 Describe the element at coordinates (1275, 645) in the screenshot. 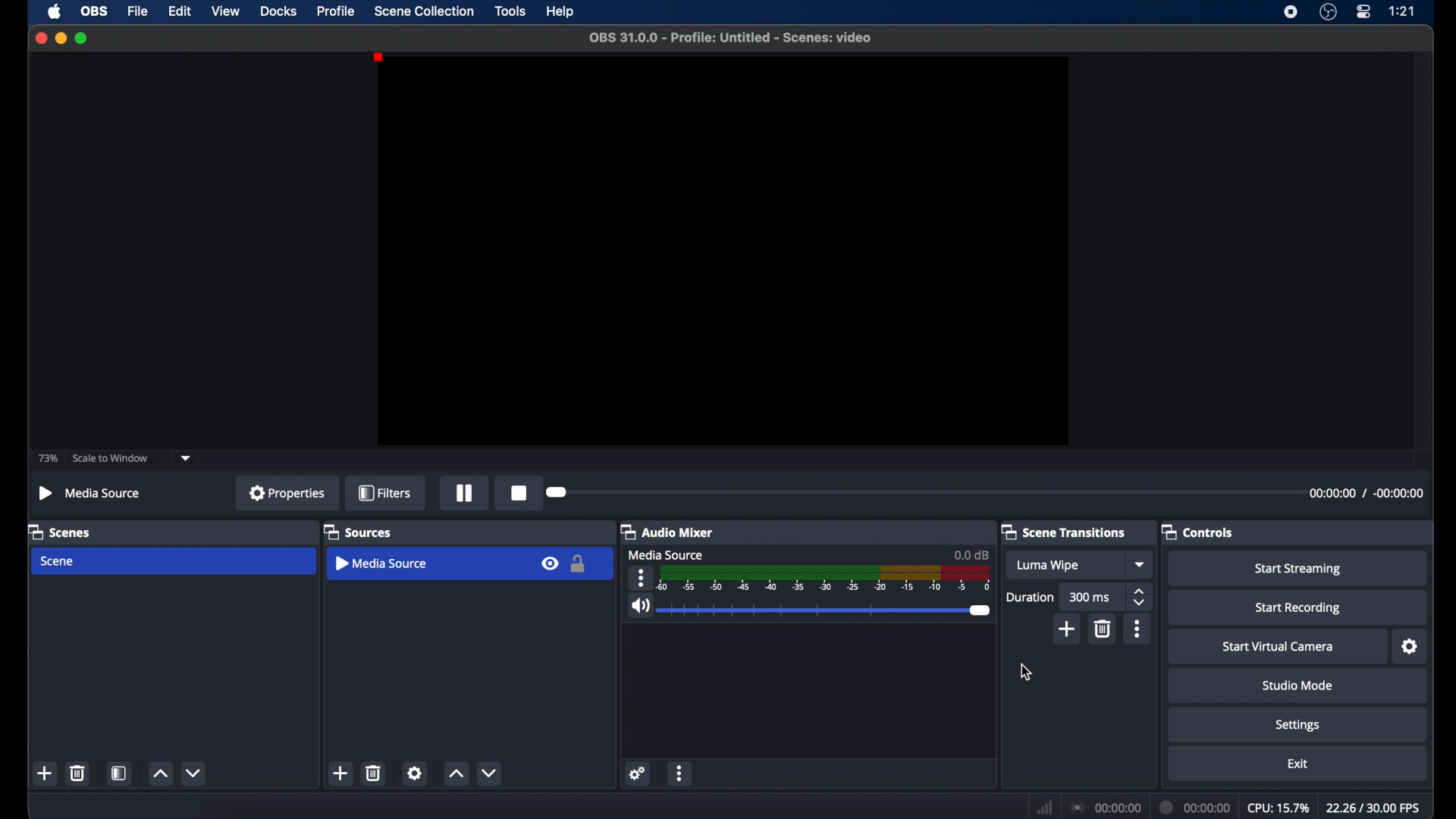

I see `start virtual camera` at that location.